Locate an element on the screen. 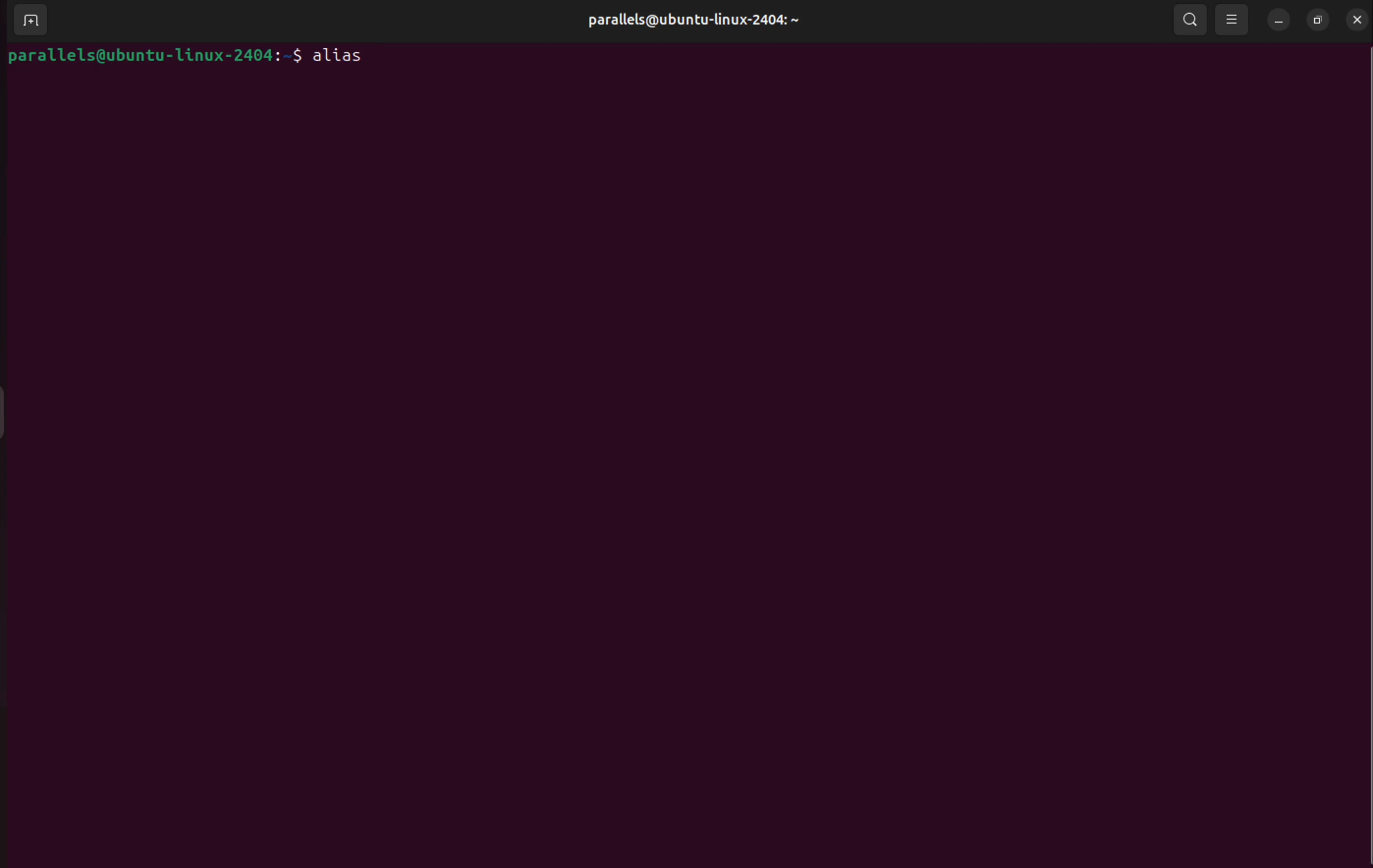 The width and height of the screenshot is (1373, 868). username is located at coordinates (692, 19).